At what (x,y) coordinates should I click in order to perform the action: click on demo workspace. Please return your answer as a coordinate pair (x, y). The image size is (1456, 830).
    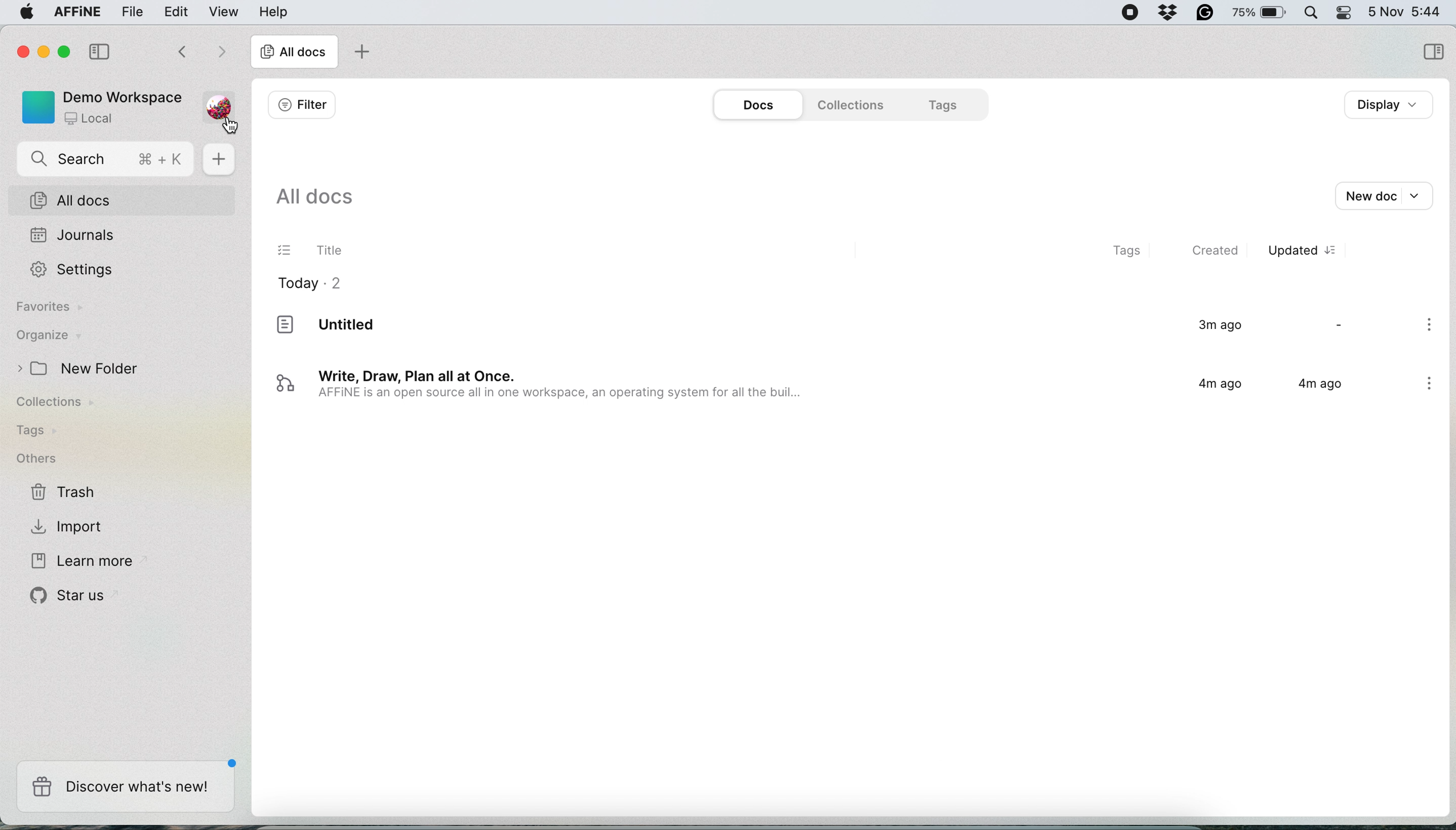
    Looking at the image, I should click on (97, 106).